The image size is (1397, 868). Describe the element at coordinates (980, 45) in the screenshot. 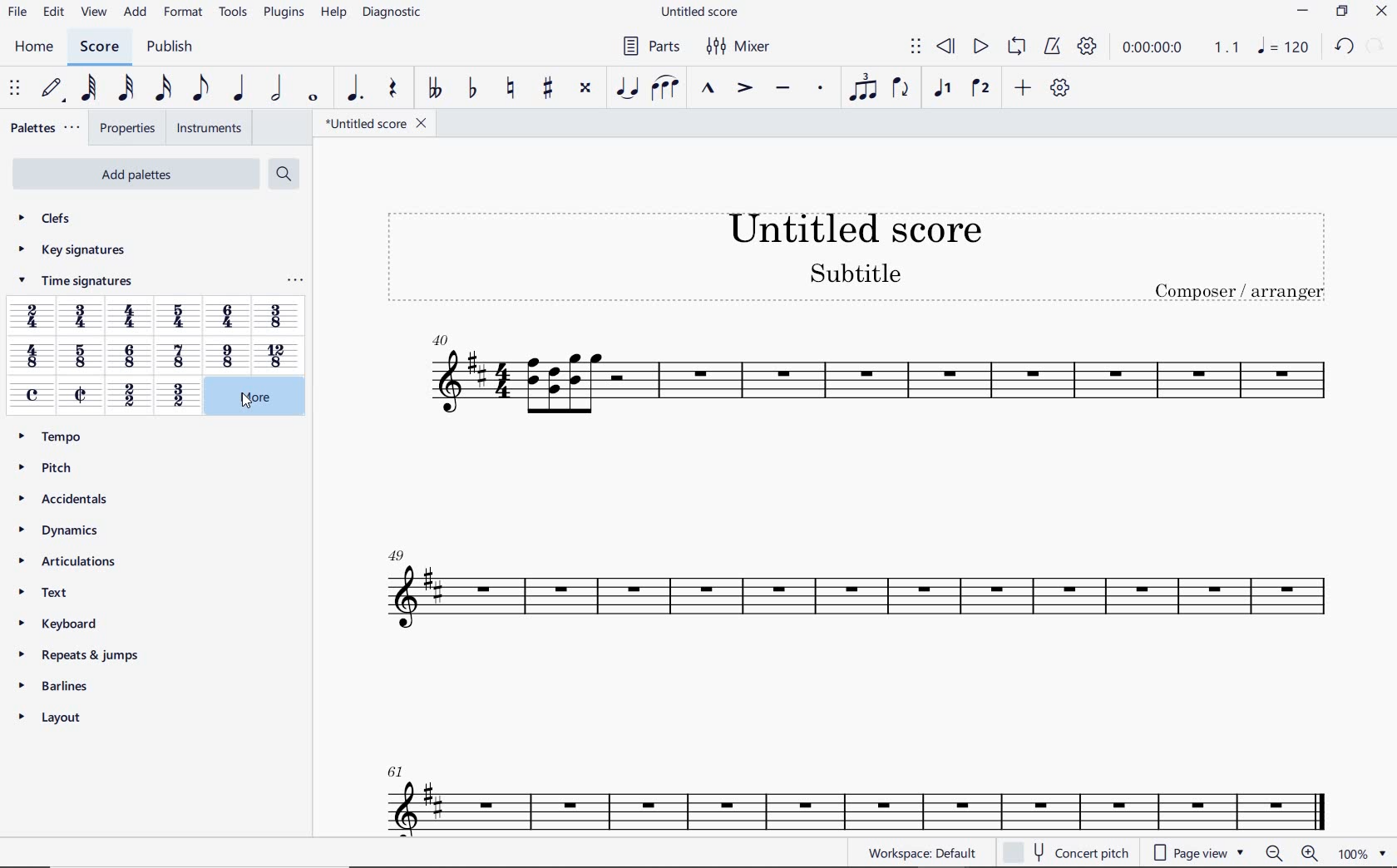

I see `PLAY` at that location.